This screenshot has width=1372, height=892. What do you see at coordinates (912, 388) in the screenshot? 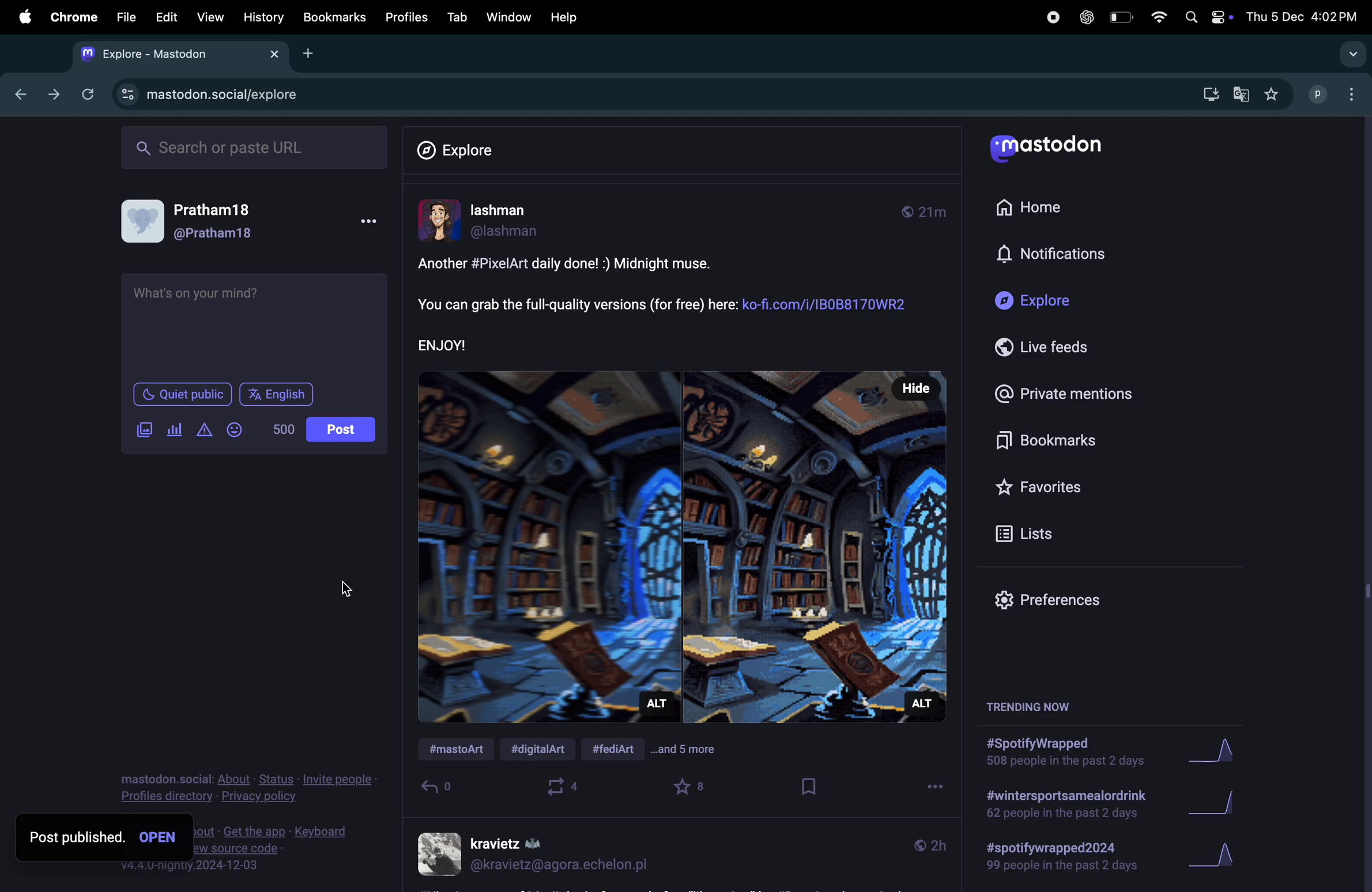
I see `Hide button` at bounding box center [912, 388].